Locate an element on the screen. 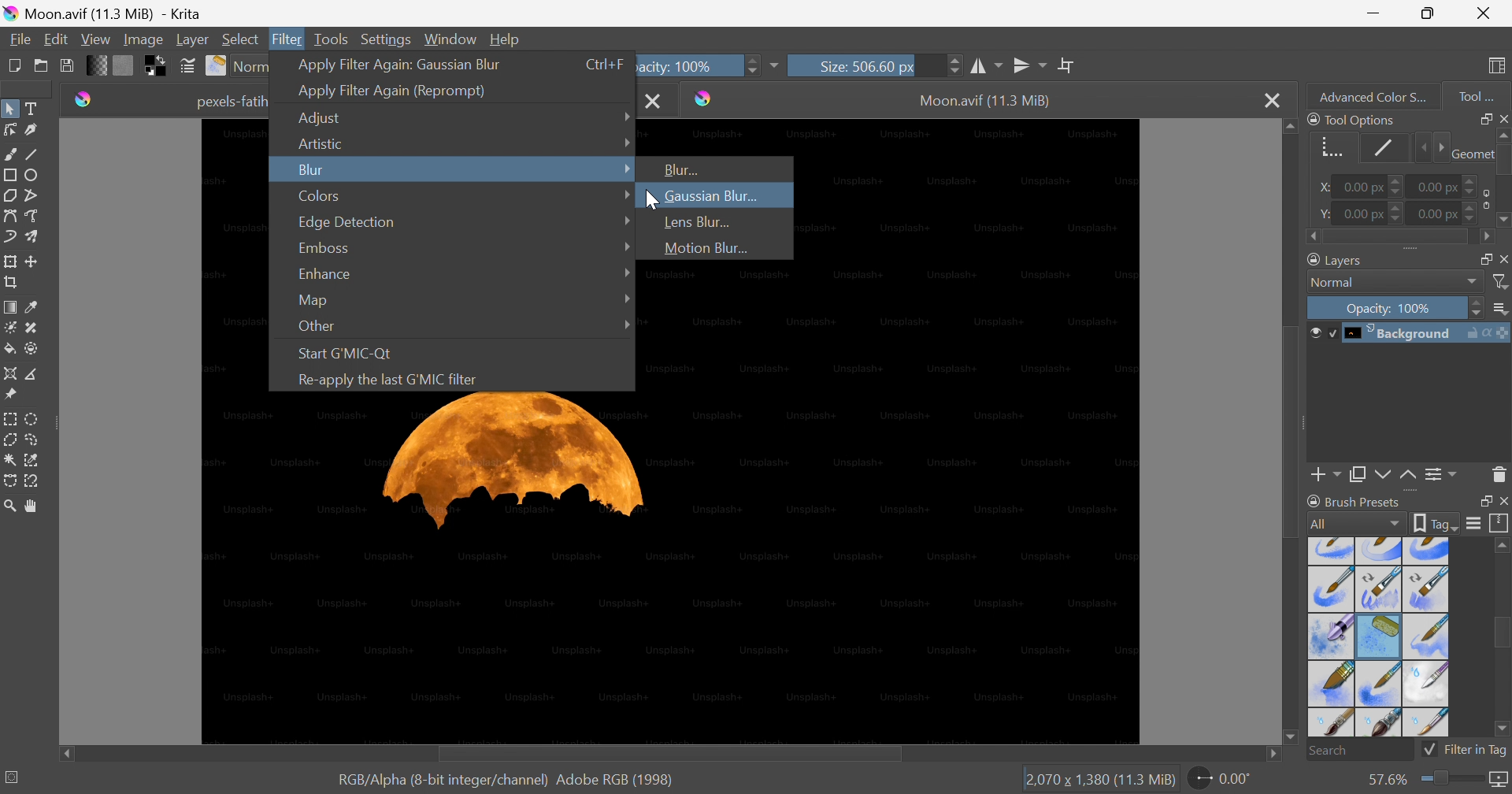  Elliptical selection tool is located at coordinates (33, 420).